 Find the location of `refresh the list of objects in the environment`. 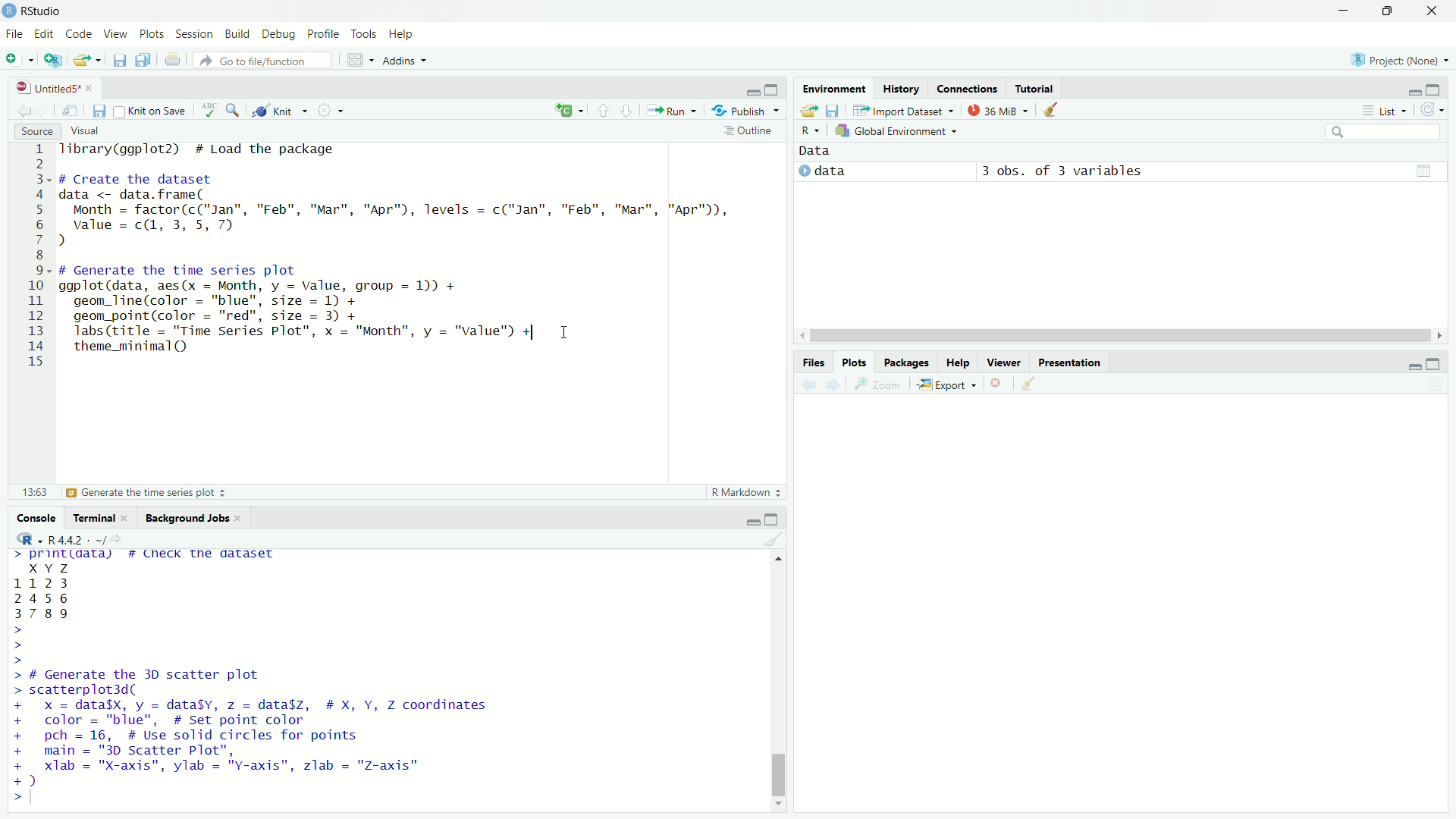

refresh the list of objects in the environment is located at coordinates (1437, 111).